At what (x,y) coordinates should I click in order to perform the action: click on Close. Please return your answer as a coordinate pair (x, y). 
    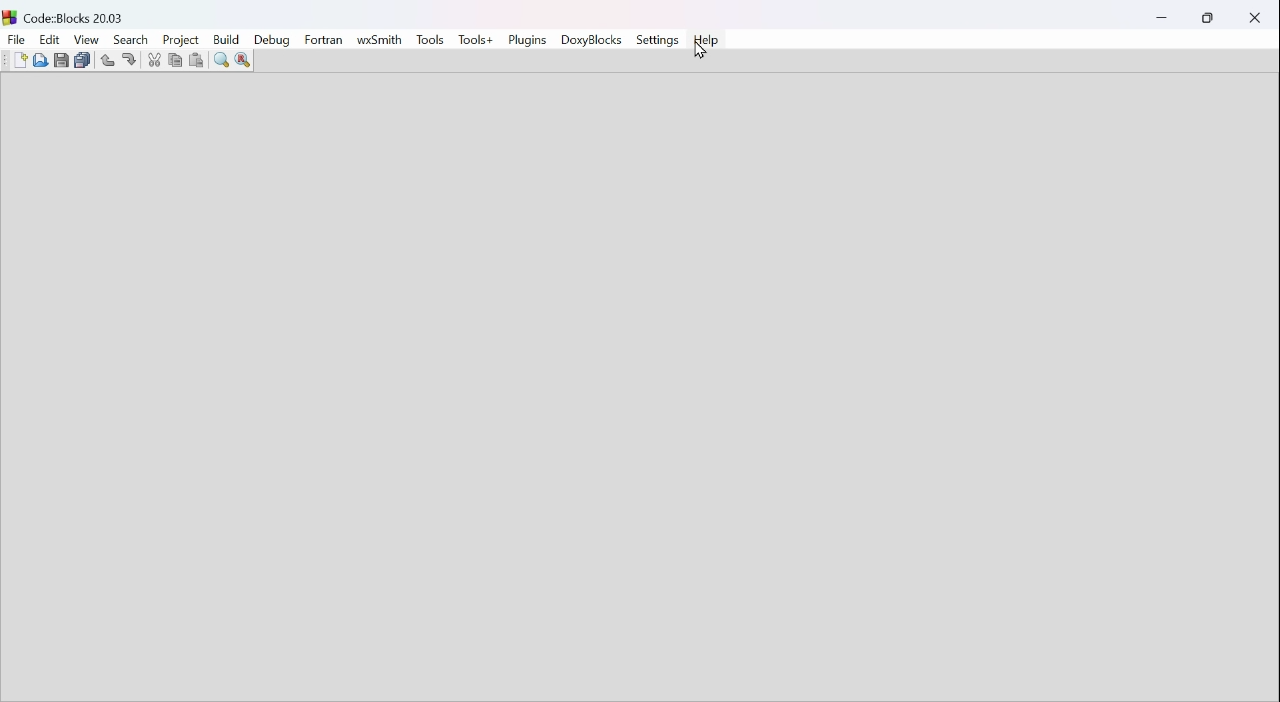
    Looking at the image, I should click on (1253, 20).